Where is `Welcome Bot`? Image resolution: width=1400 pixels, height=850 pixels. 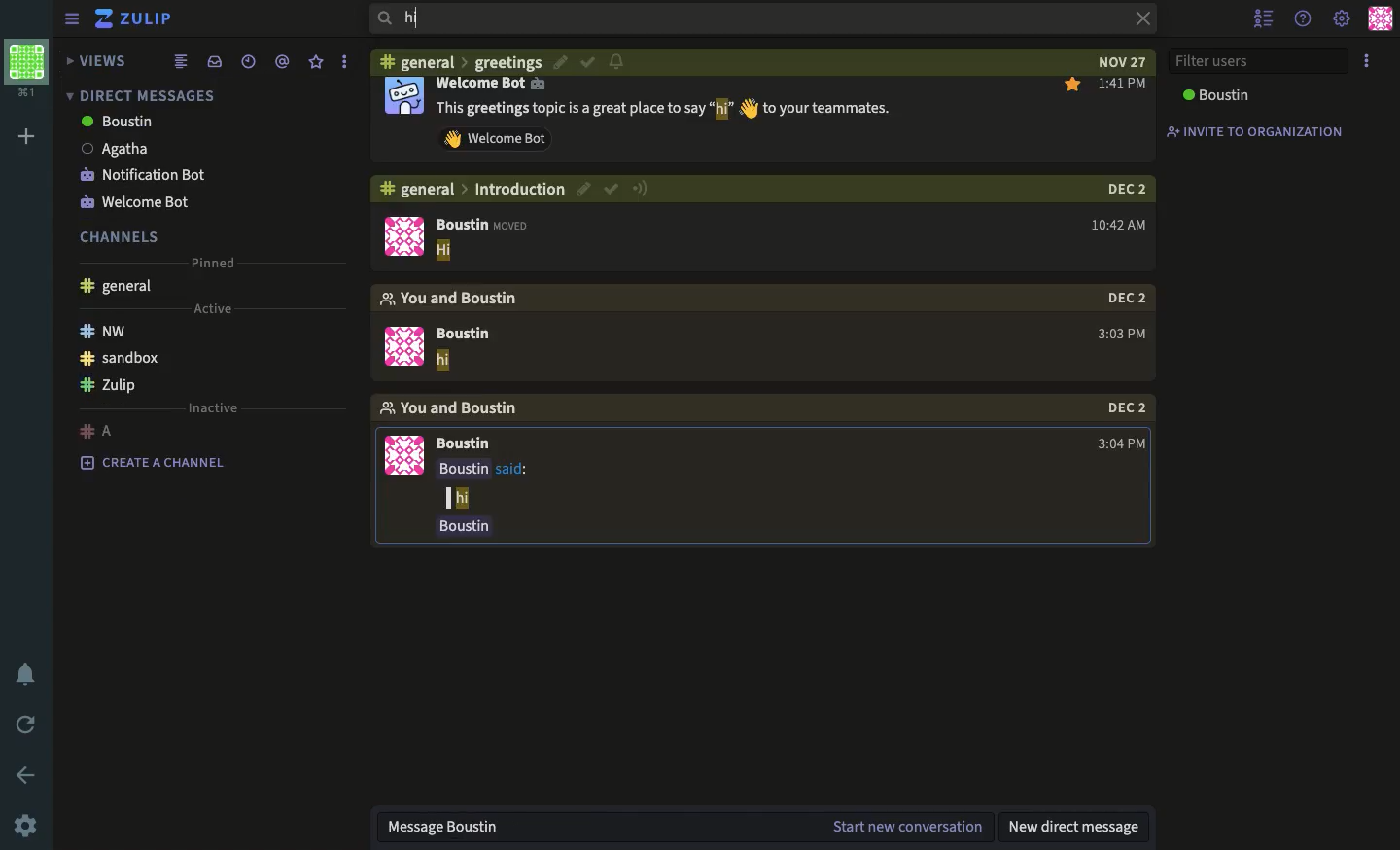
Welcome Bot is located at coordinates (501, 139).